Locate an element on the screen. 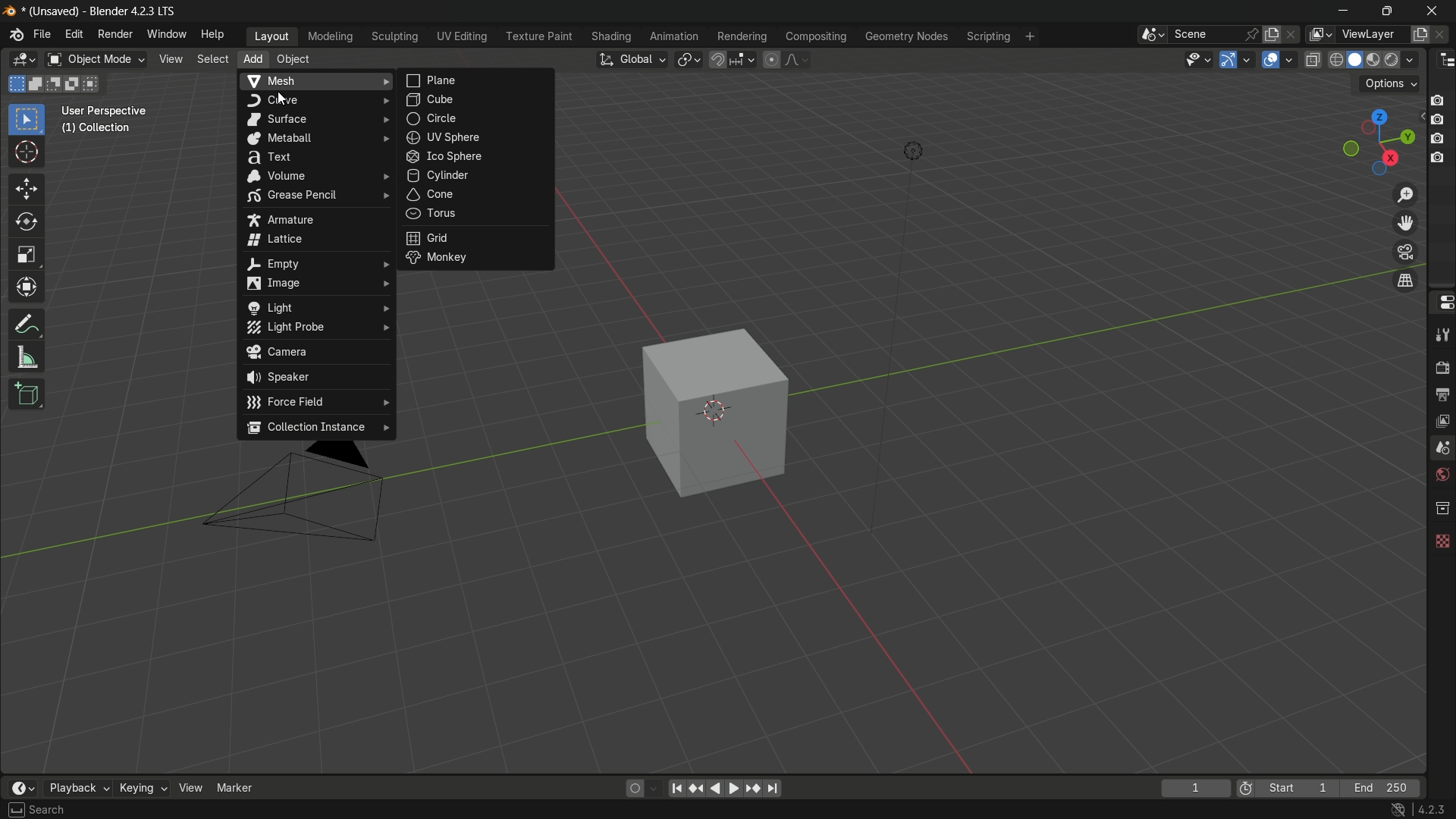  tools is located at coordinates (1441, 332).